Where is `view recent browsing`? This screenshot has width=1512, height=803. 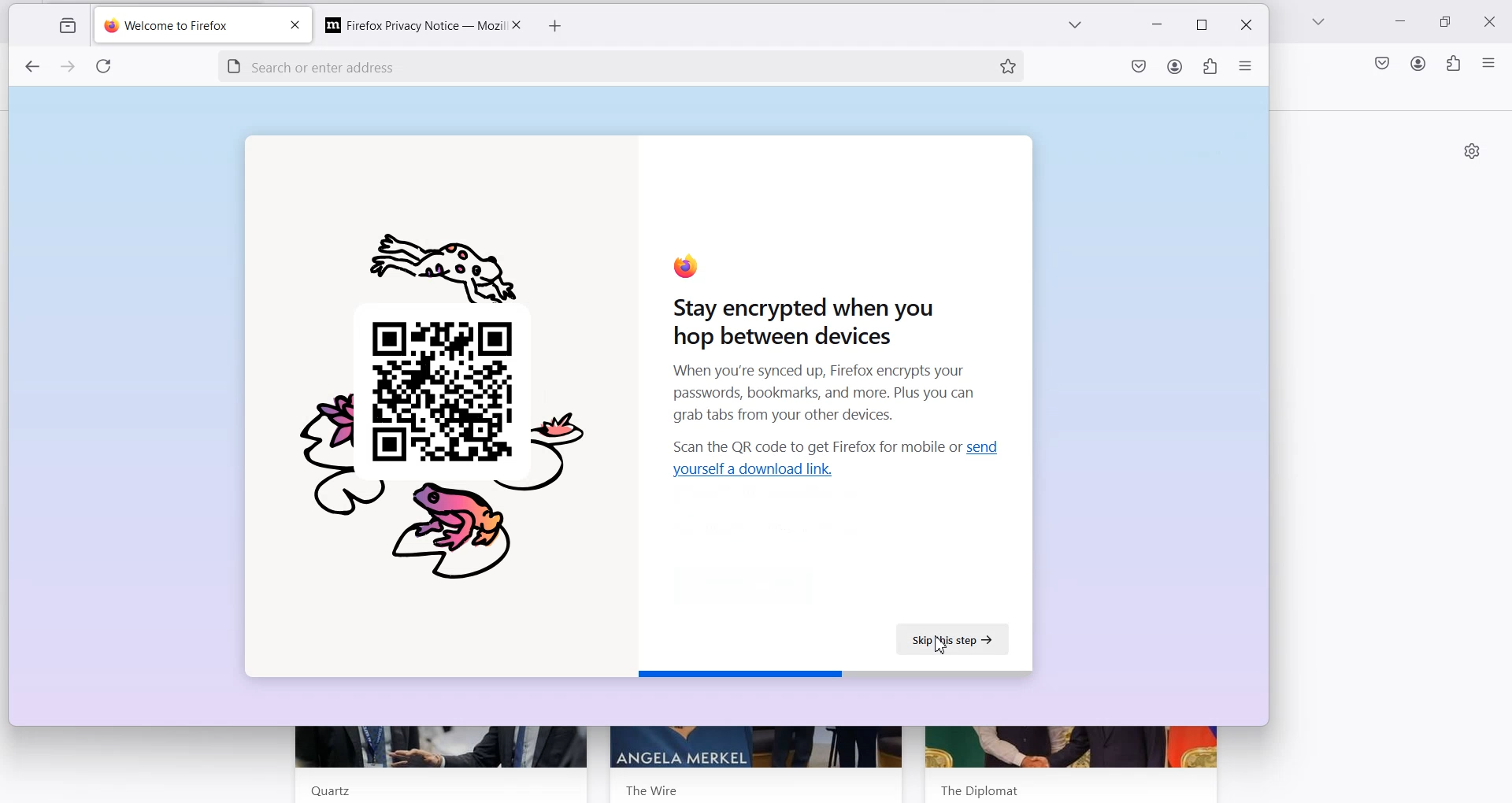
view recent browsing is located at coordinates (65, 27).